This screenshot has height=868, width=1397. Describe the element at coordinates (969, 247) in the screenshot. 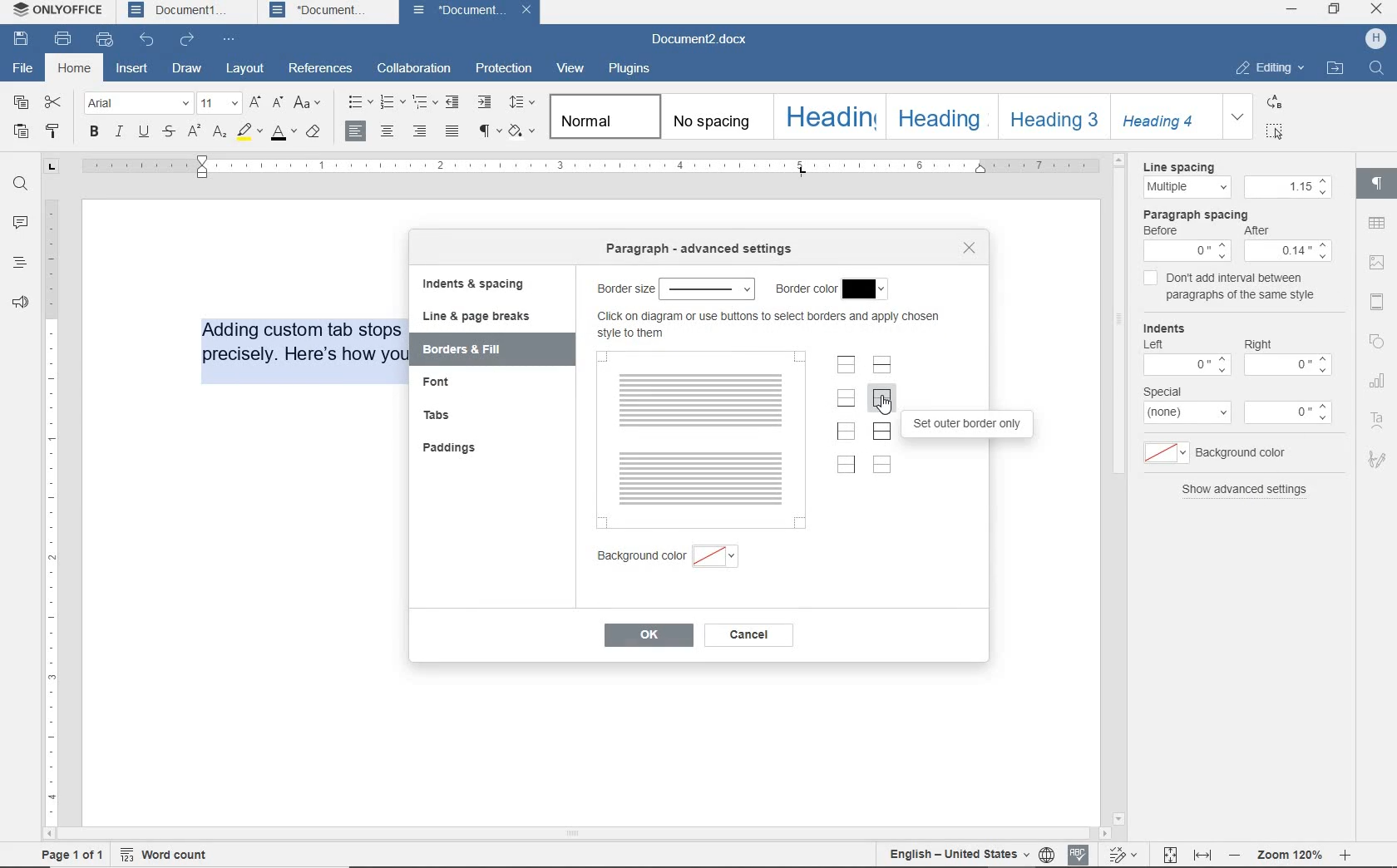

I see `close` at that location.